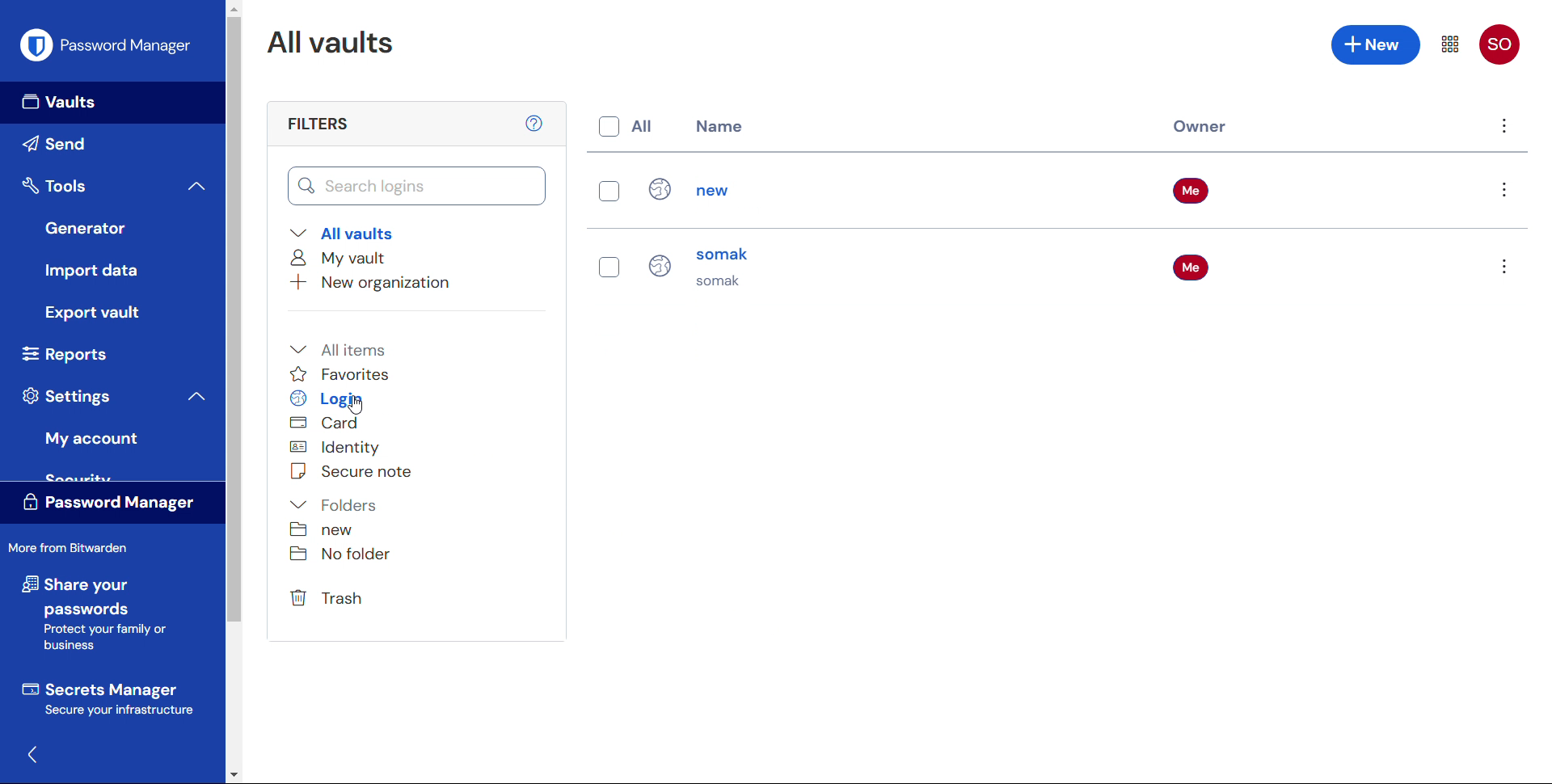 Image resolution: width=1552 pixels, height=784 pixels. I want to click on SO, so click(1501, 44).